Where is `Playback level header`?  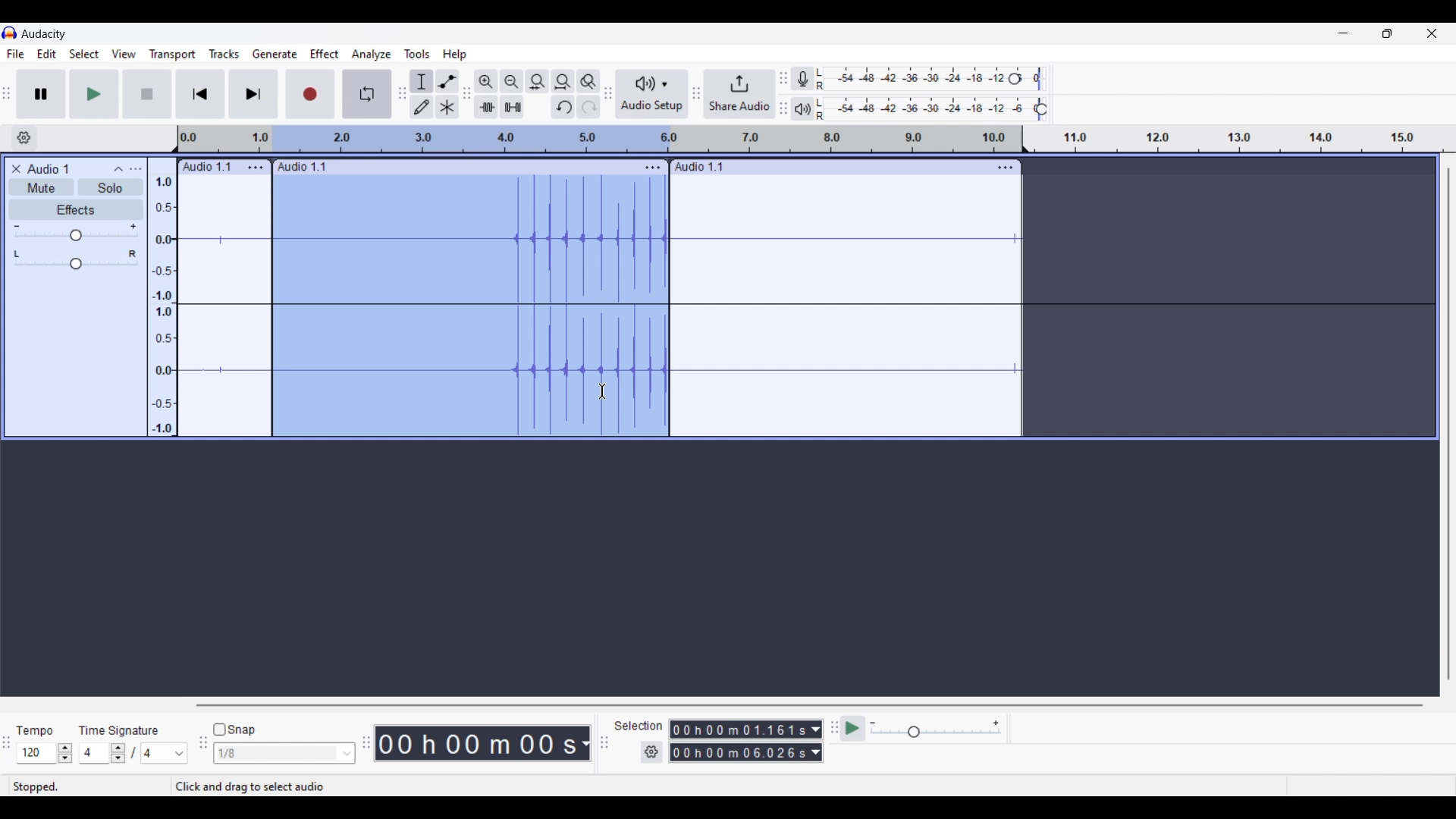 Playback level header is located at coordinates (1041, 109).